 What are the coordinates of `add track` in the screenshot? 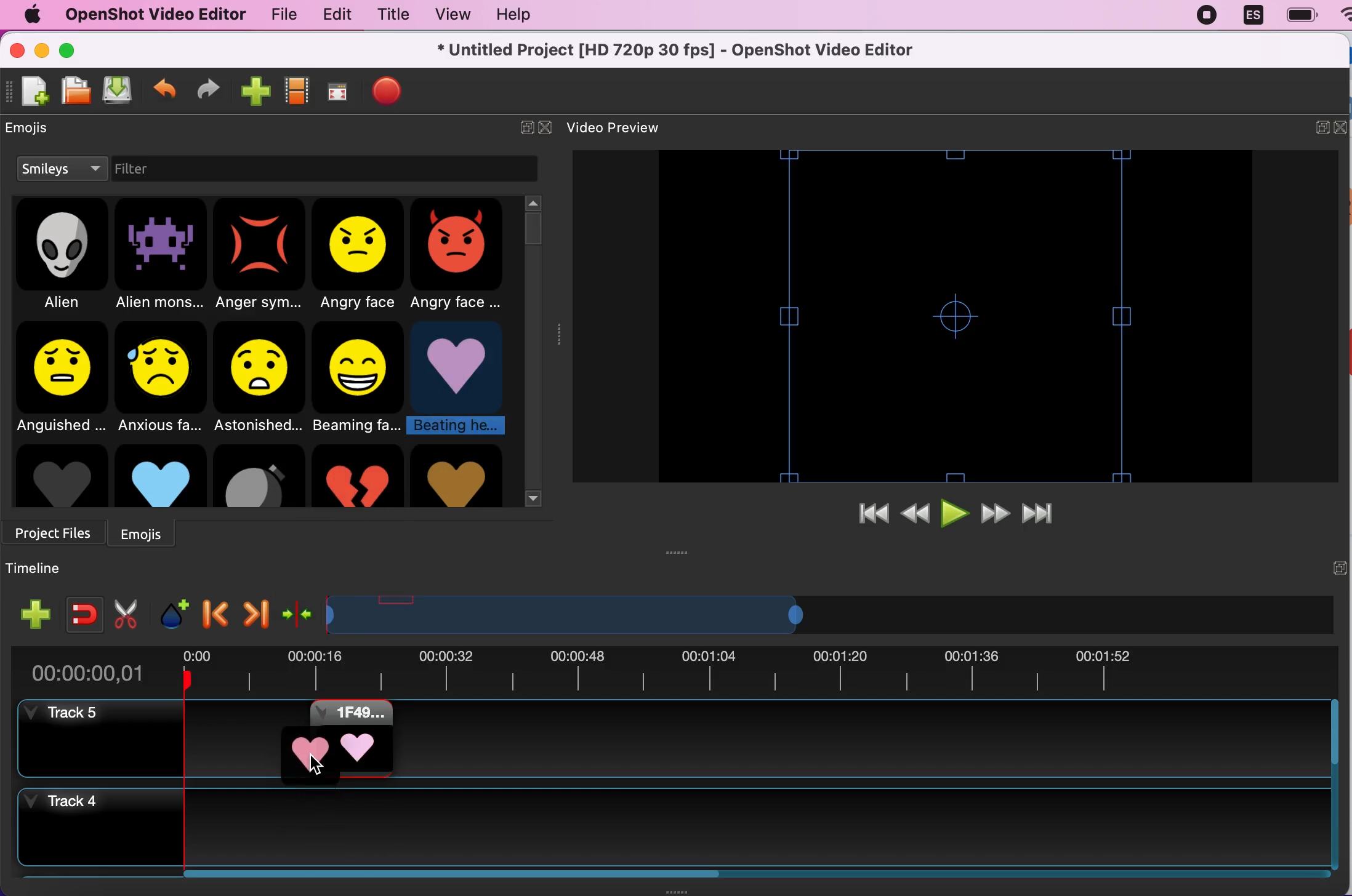 It's located at (36, 614).